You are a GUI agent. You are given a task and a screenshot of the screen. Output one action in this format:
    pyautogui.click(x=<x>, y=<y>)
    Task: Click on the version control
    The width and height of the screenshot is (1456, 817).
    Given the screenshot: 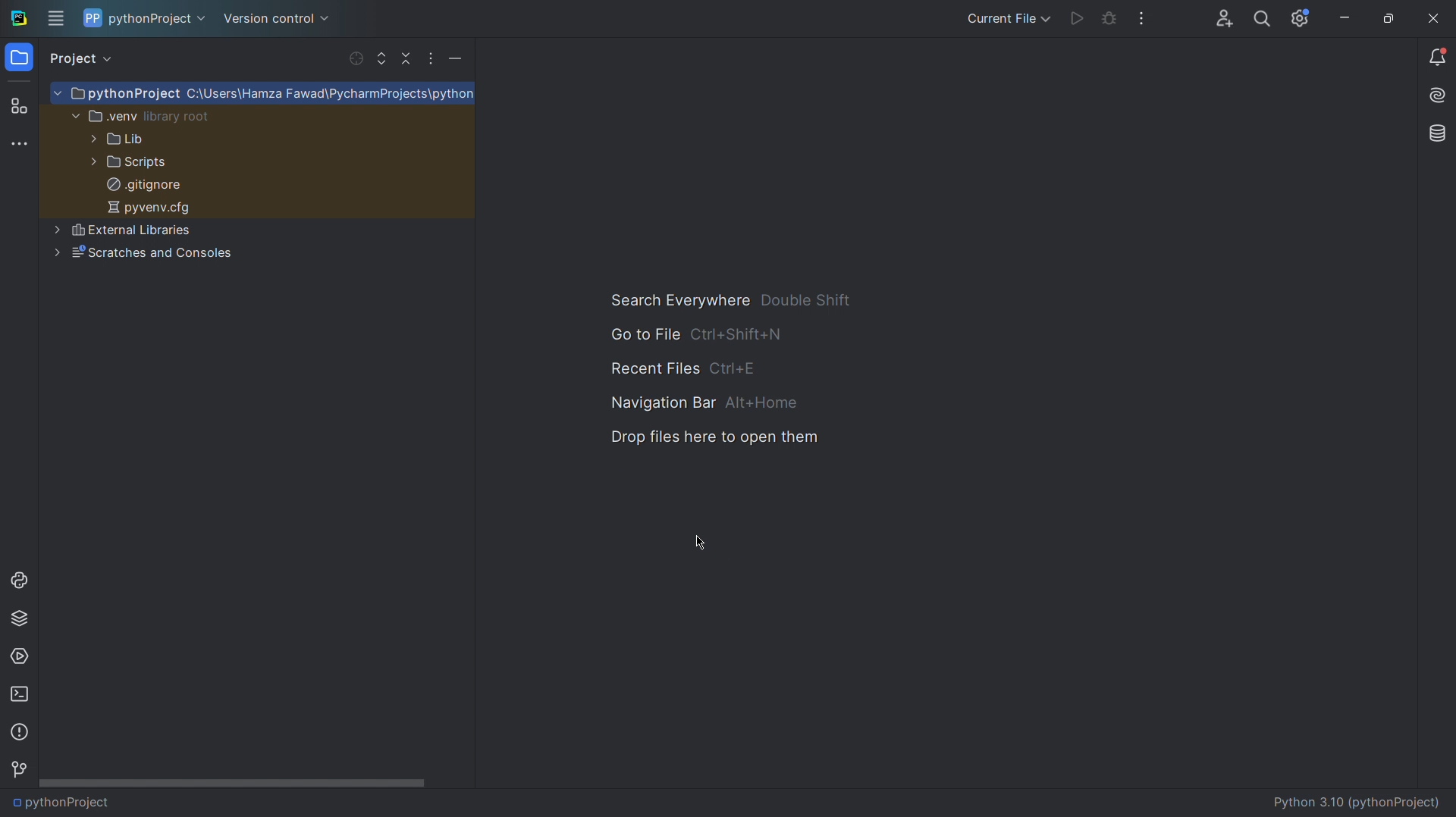 What is the action you would take?
    pyautogui.click(x=23, y=766)
    